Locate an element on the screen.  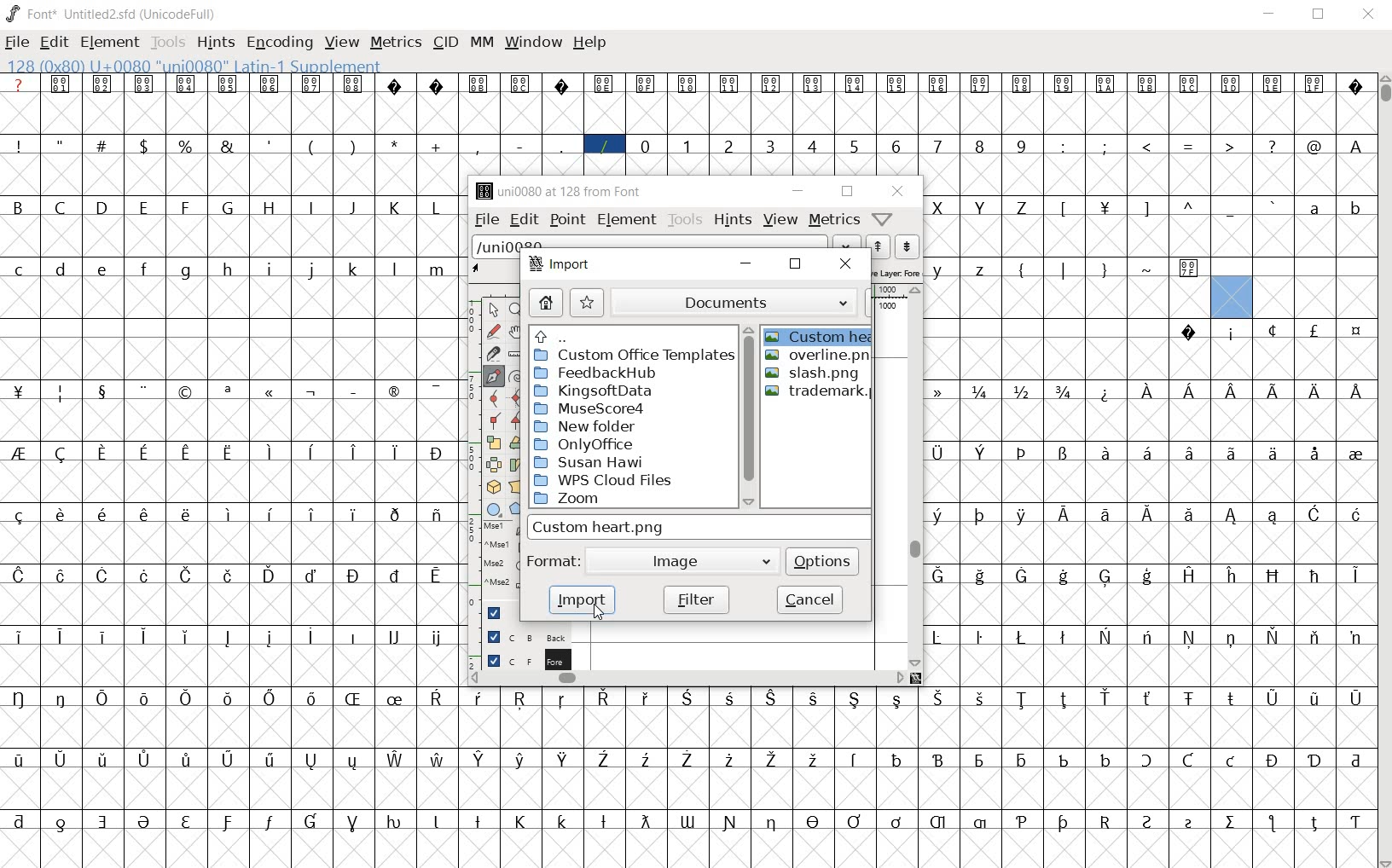
glyph is located at coordinates (729, 147).